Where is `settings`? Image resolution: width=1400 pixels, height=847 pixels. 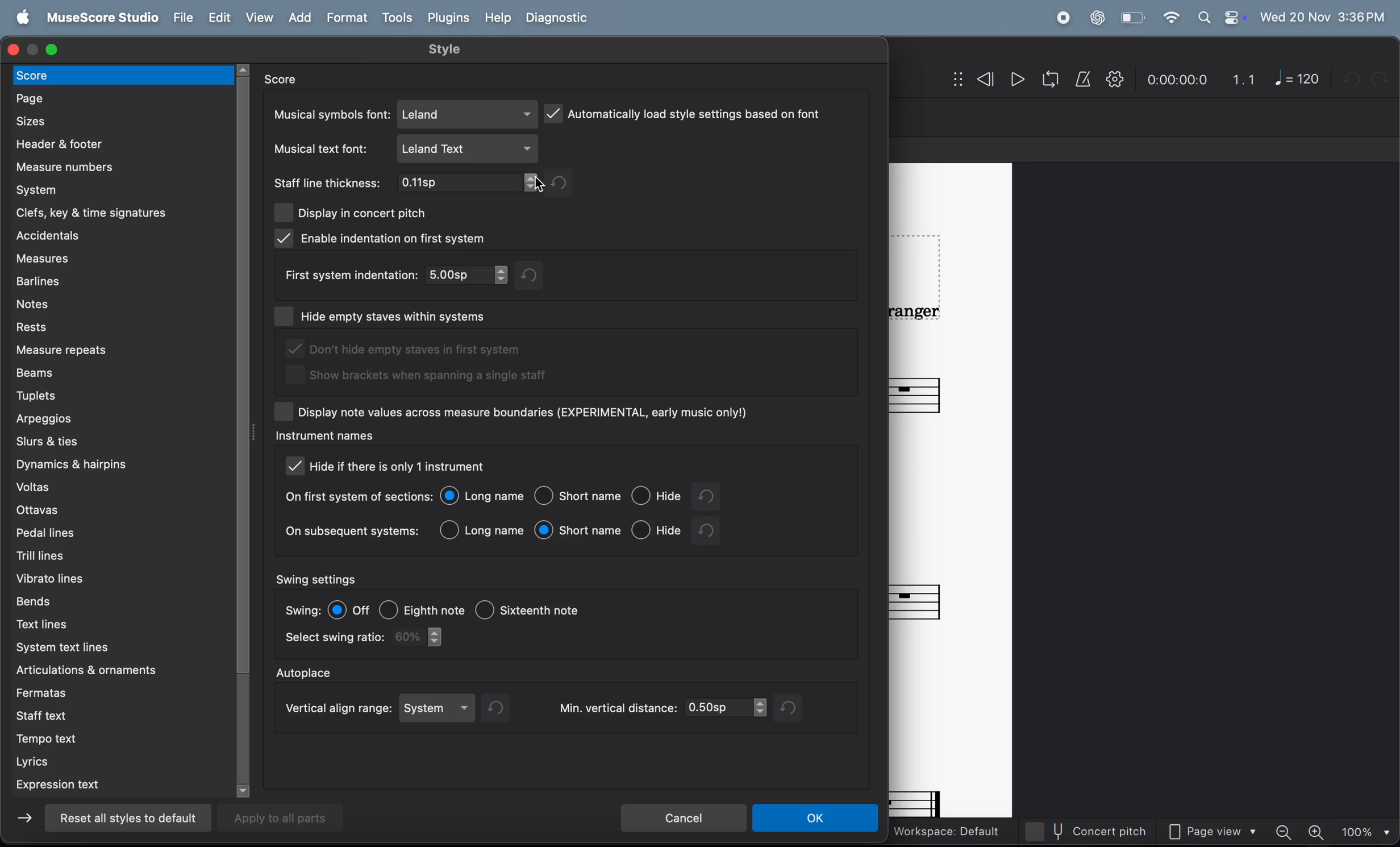 settings is located at coordinates (1115, 80).